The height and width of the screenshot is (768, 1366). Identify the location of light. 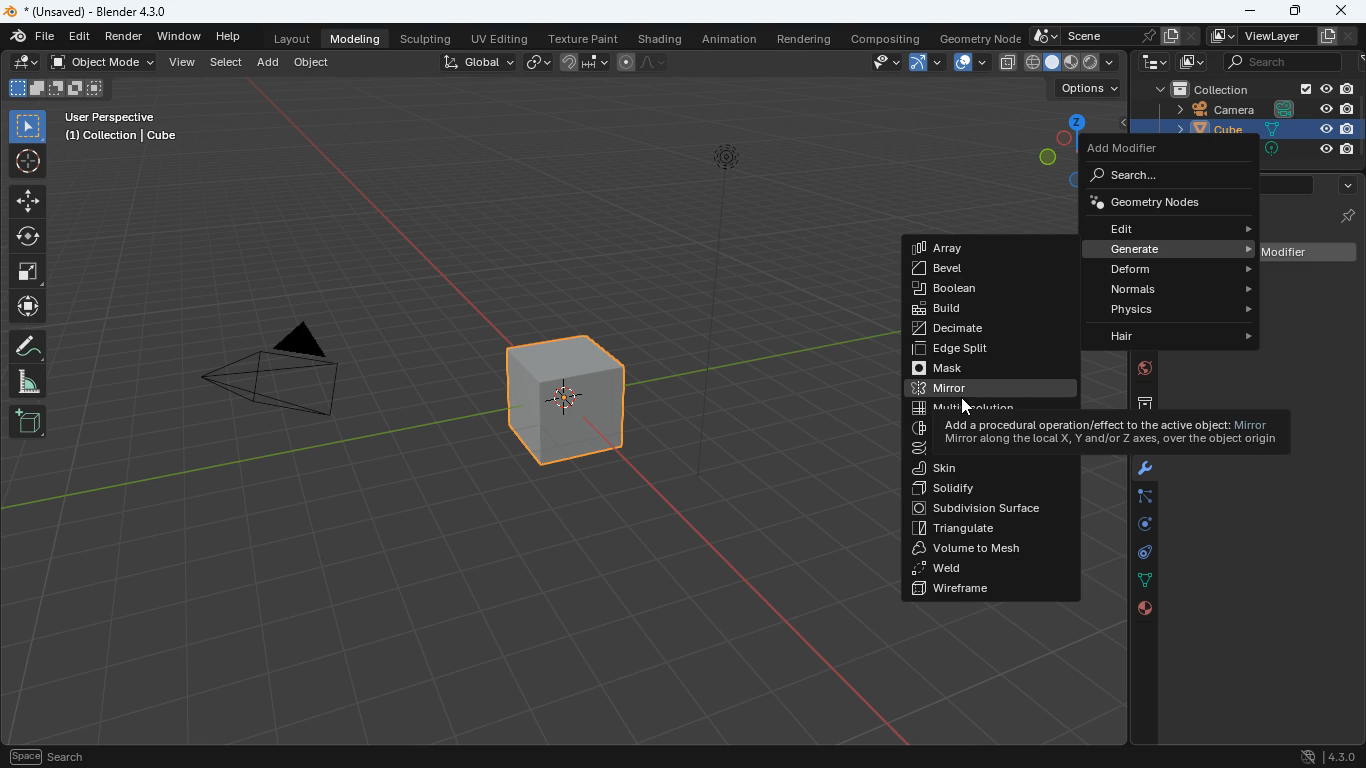
(714, 305).